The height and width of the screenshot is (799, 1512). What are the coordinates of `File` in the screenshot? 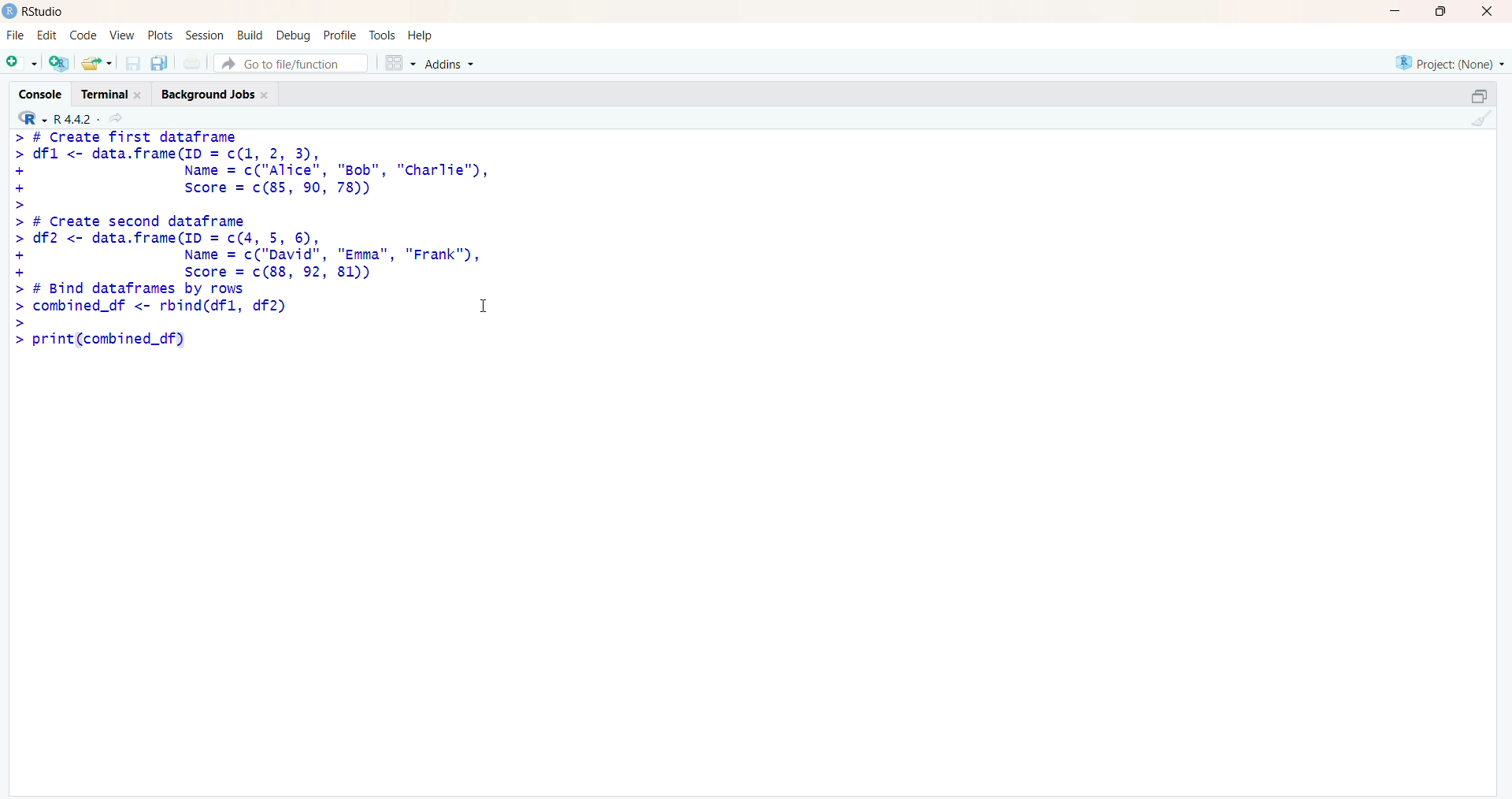 It's located at (17, 35).